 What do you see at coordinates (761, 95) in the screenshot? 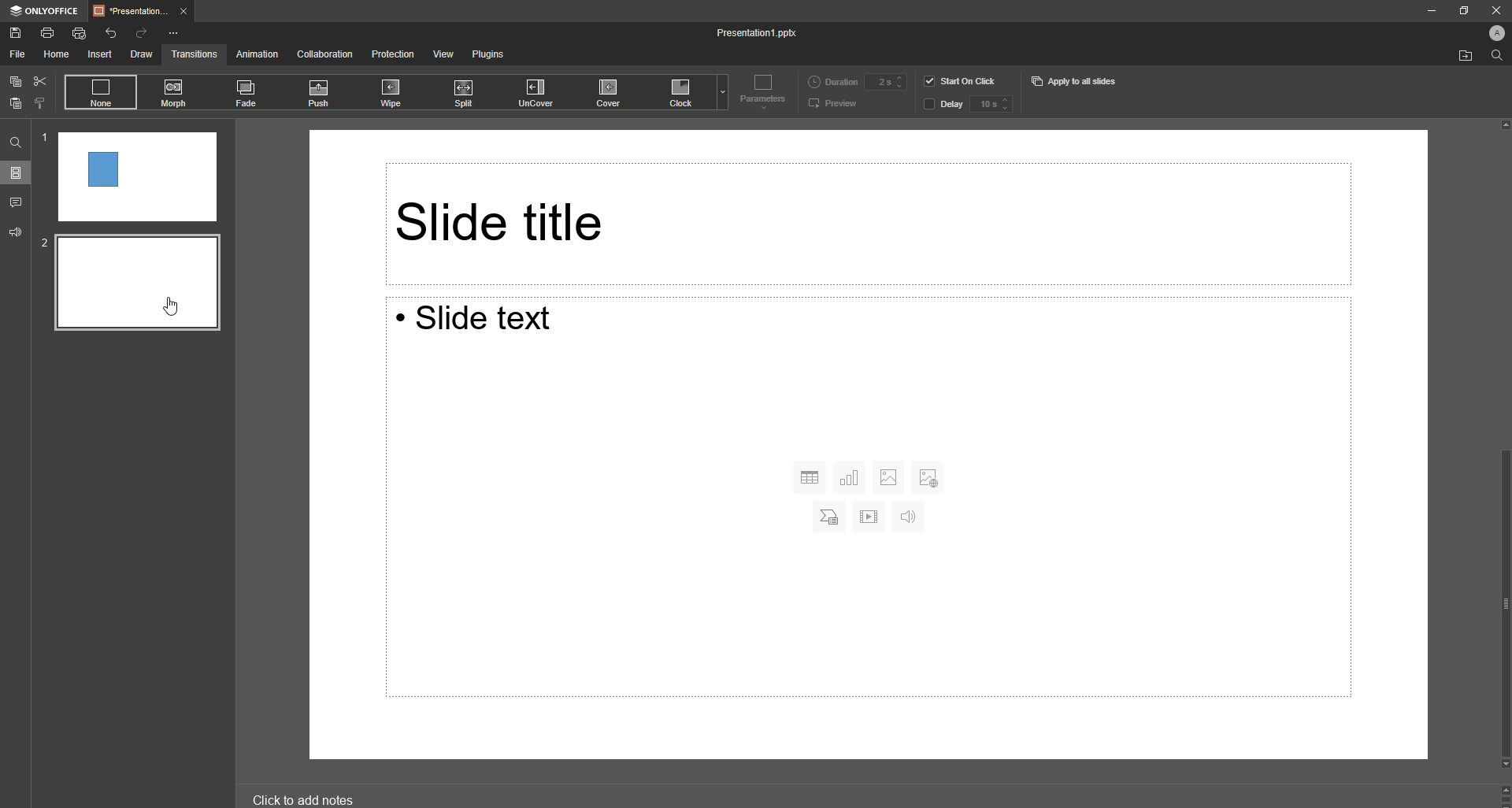
I see `Parameters` at bounding box center [761, 95].